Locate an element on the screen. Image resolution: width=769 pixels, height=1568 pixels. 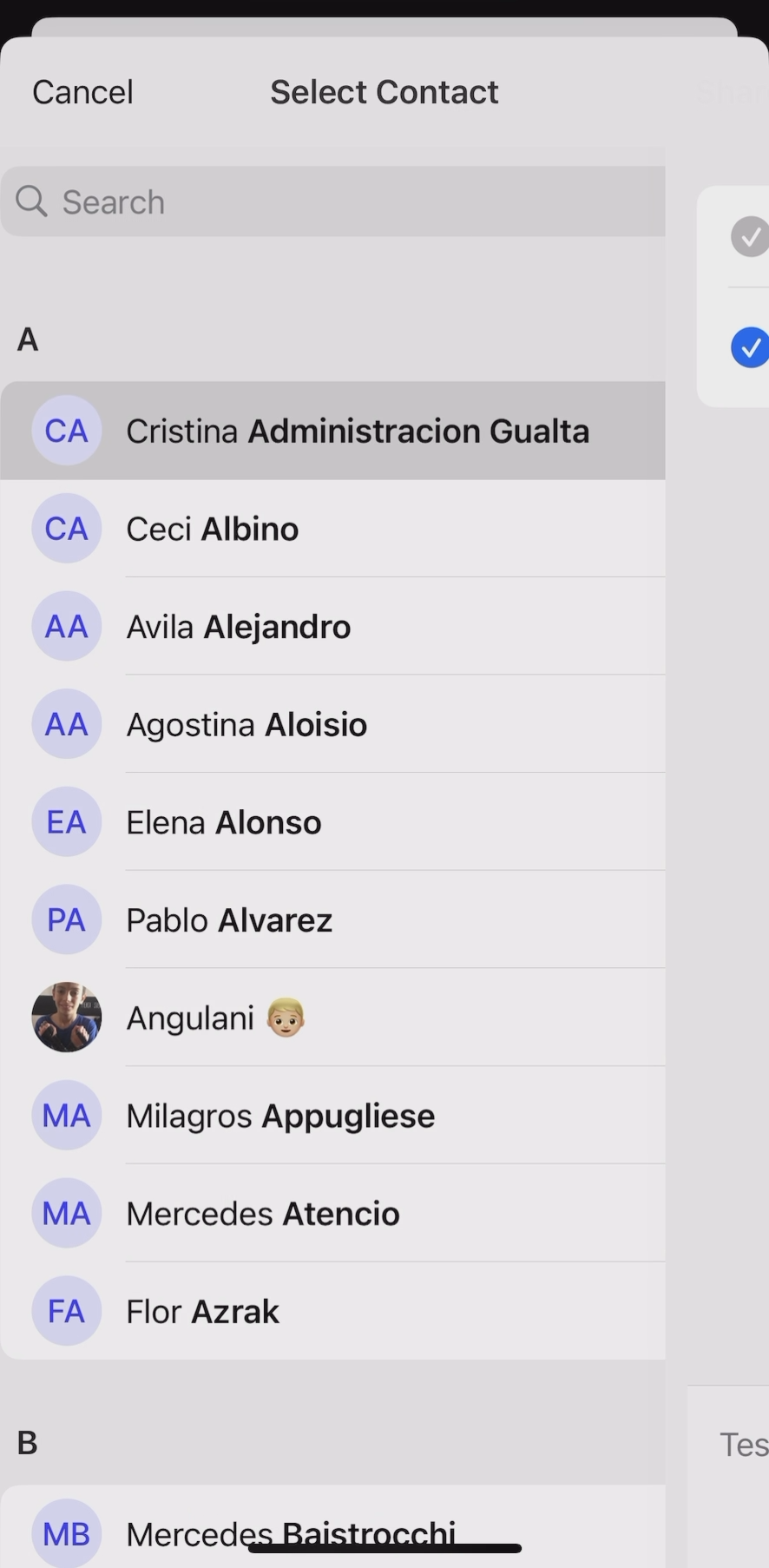
A is located at coordinates (27, 339).